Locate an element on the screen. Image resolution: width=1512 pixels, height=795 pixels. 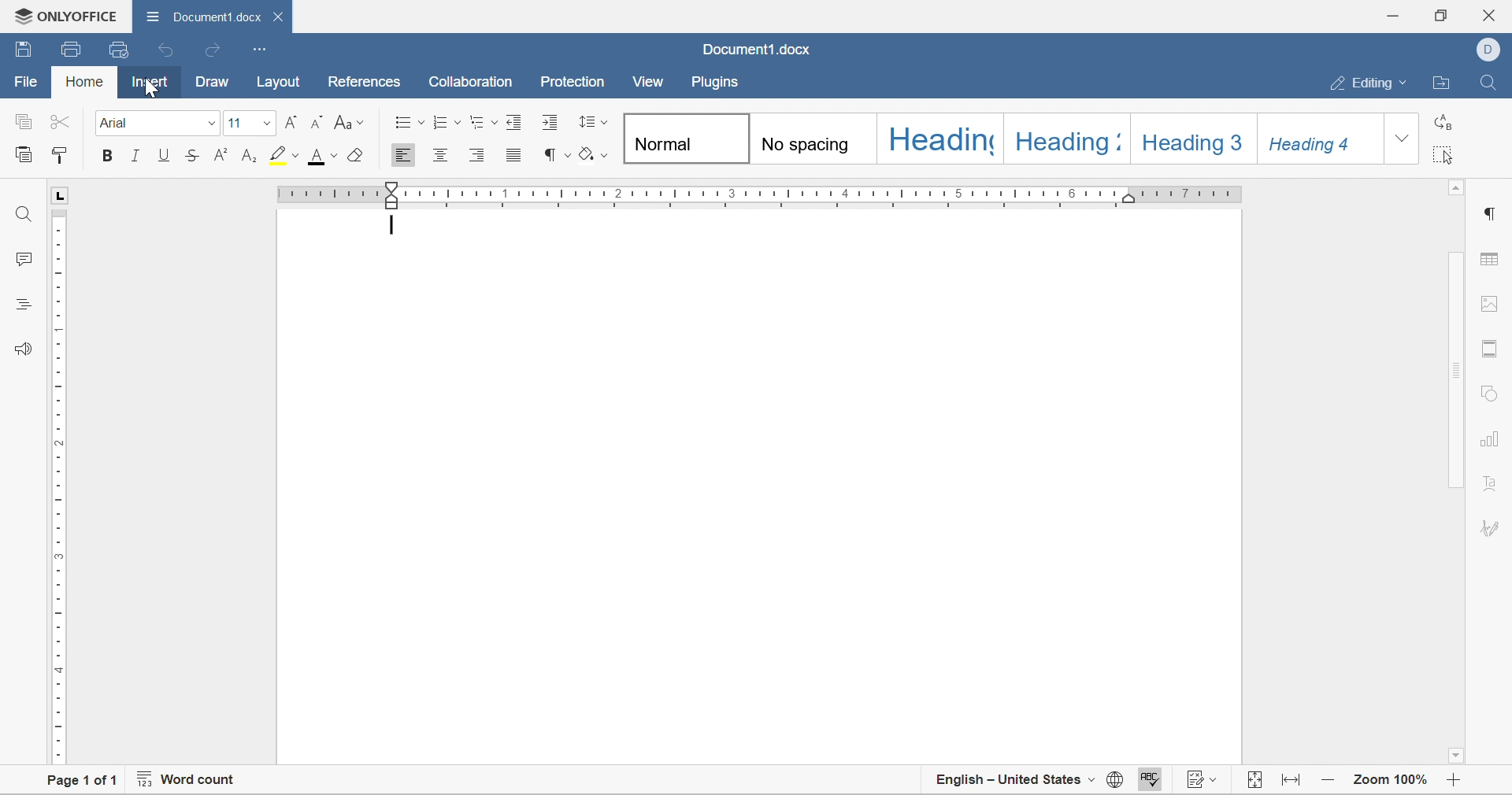
Image settings is located at coordinates (1494, 307).